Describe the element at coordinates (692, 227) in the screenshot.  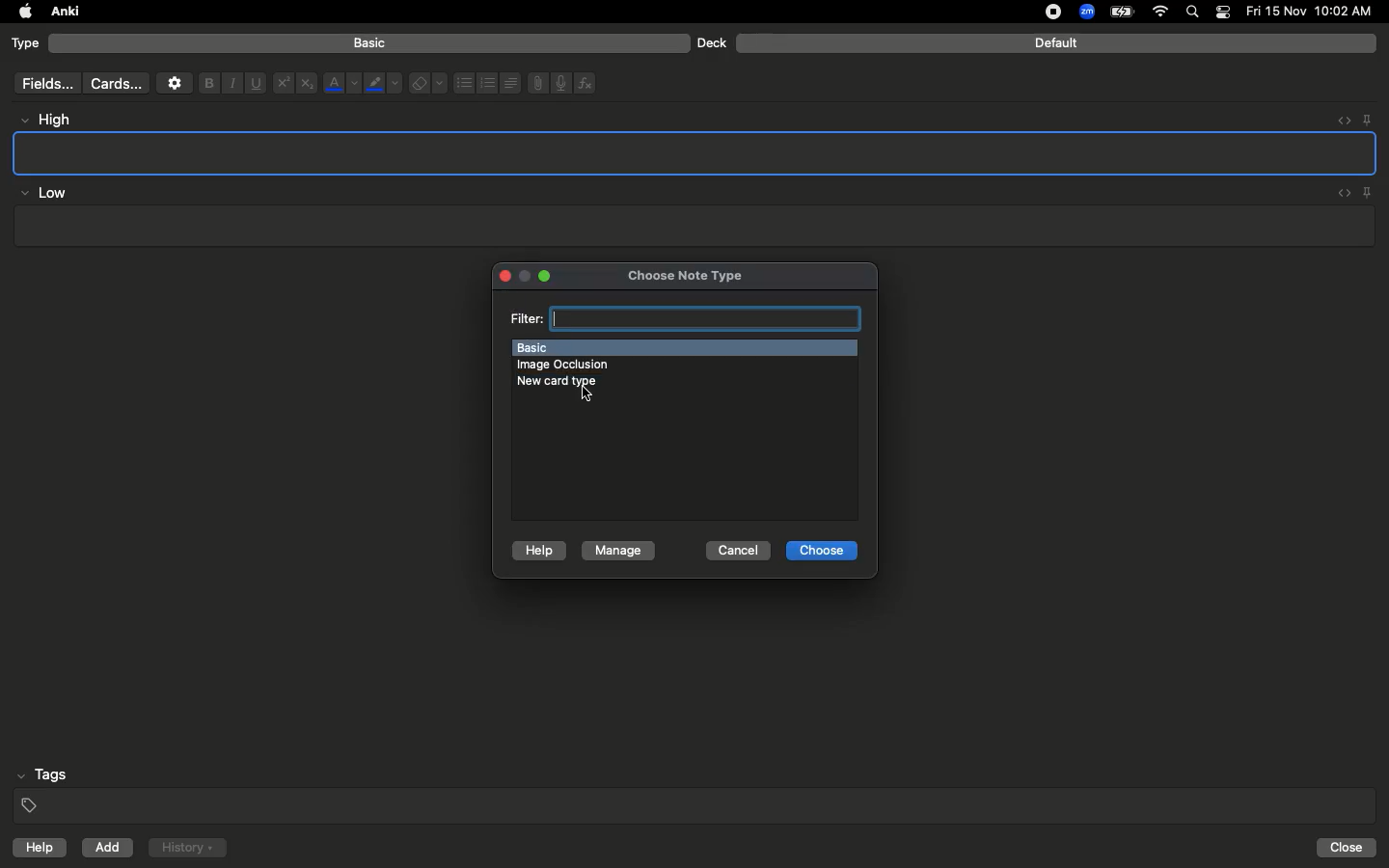
I see `Textbox` at that location.